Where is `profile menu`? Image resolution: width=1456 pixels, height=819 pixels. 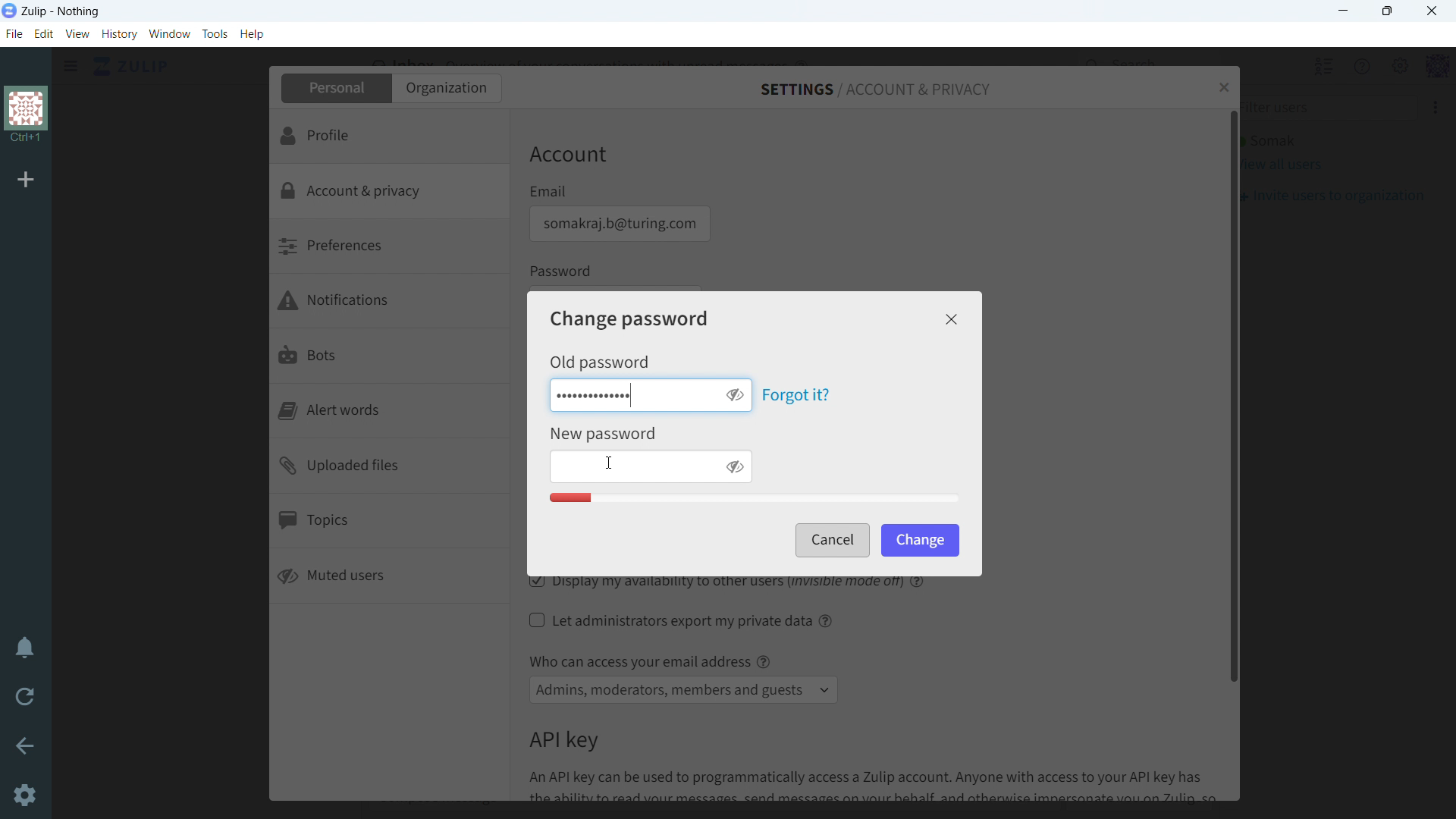
profile menu is located at coordinates (1438, 67).